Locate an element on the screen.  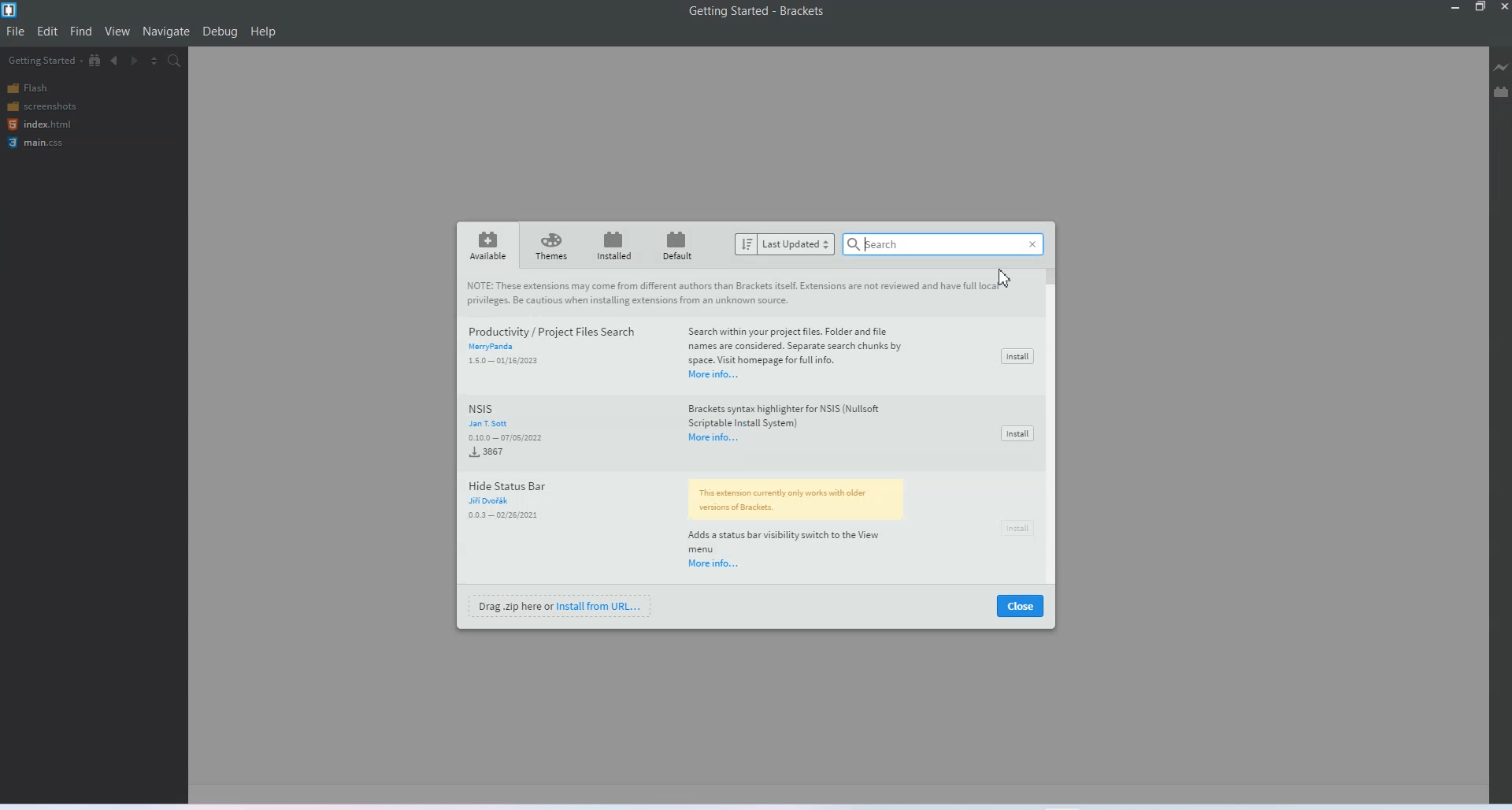
Flash is located at coordinates (53, 88).